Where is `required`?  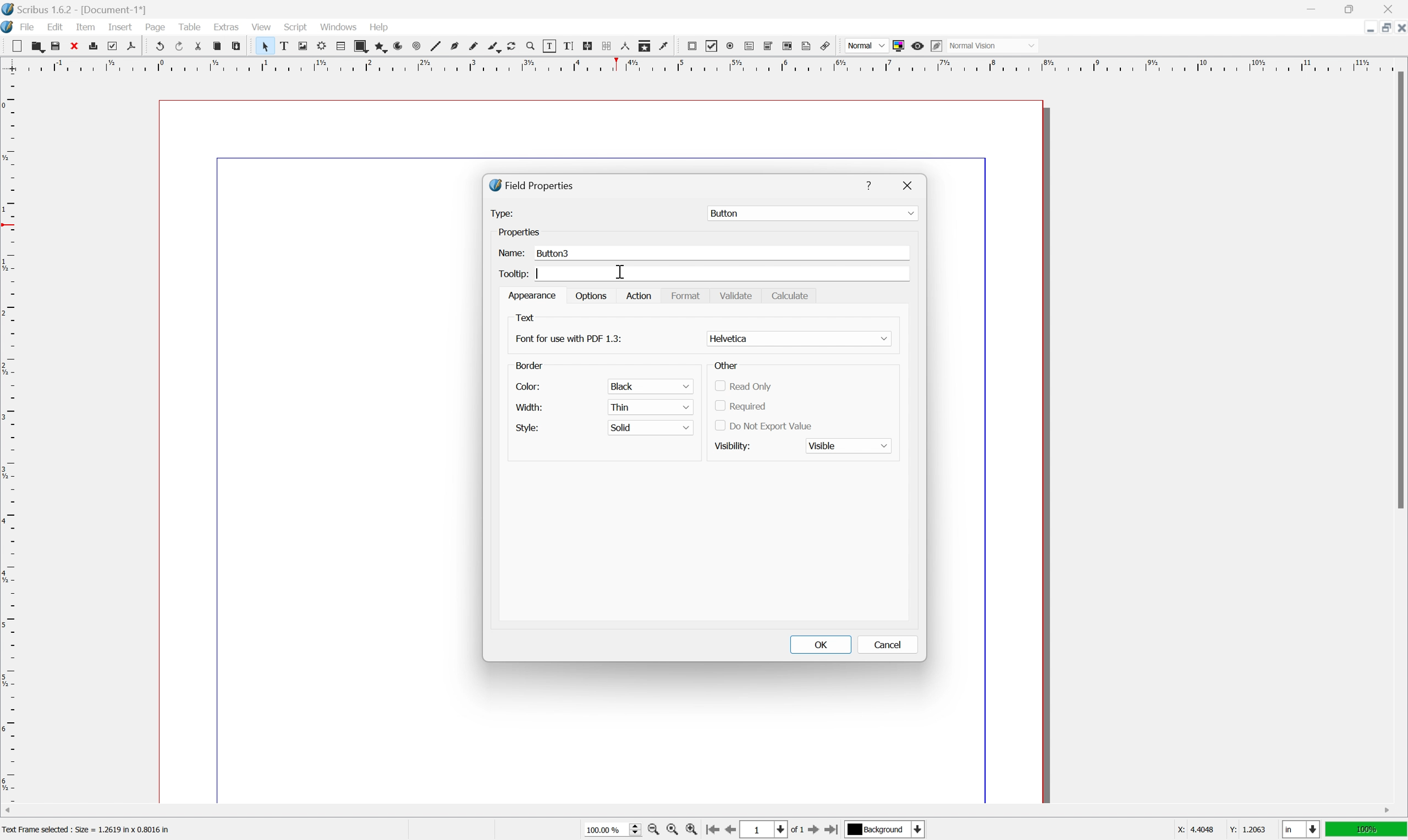 required is located at coordinates (740, 405).